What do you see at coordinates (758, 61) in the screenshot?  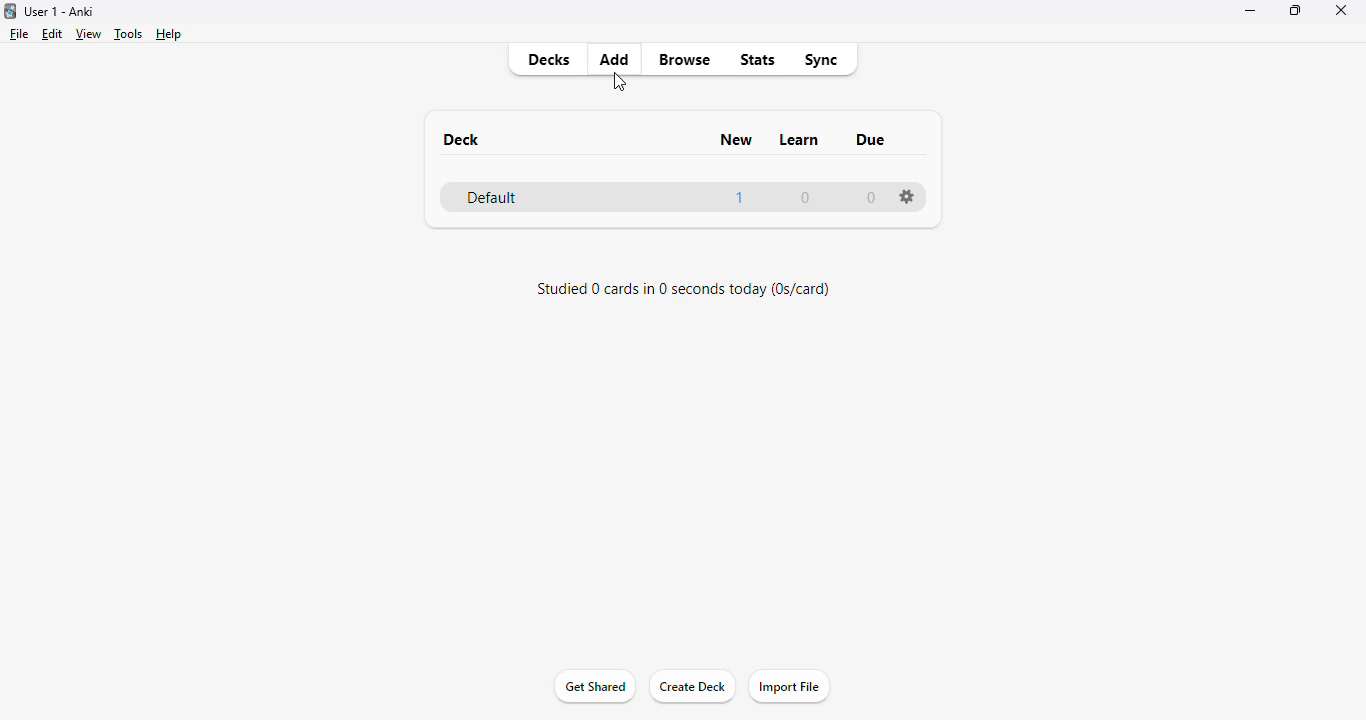 I see `stats` at bounding box center [758, 61].